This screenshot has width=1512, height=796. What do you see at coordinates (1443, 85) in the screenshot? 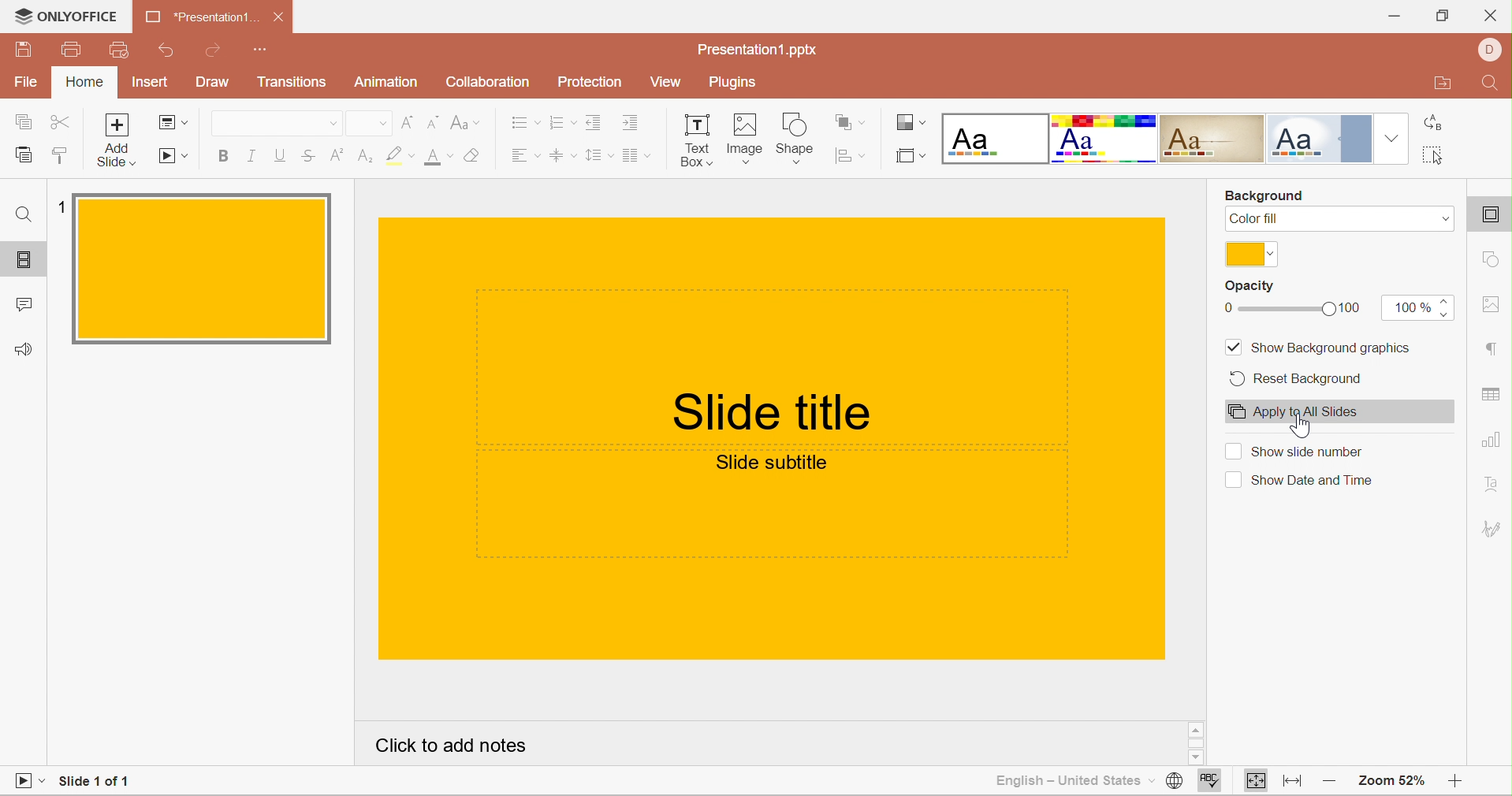
I see `Open file location` at bounding box center [1443, 85].